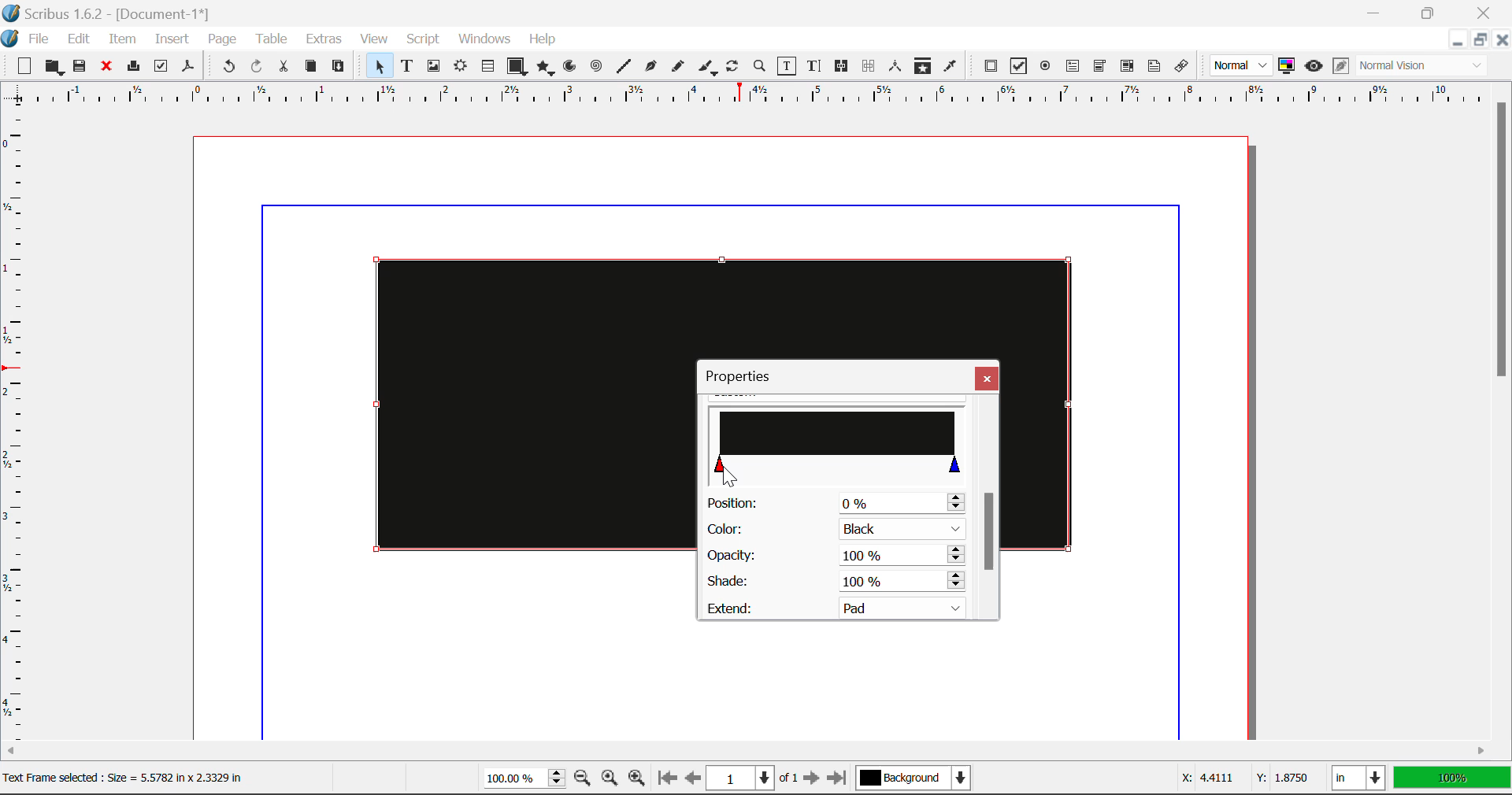 Image resolution: width=1512 pixels, height=795 pixels. Describe the element at coordinates (41, 42) in the screenshot. I see `File` at that location.